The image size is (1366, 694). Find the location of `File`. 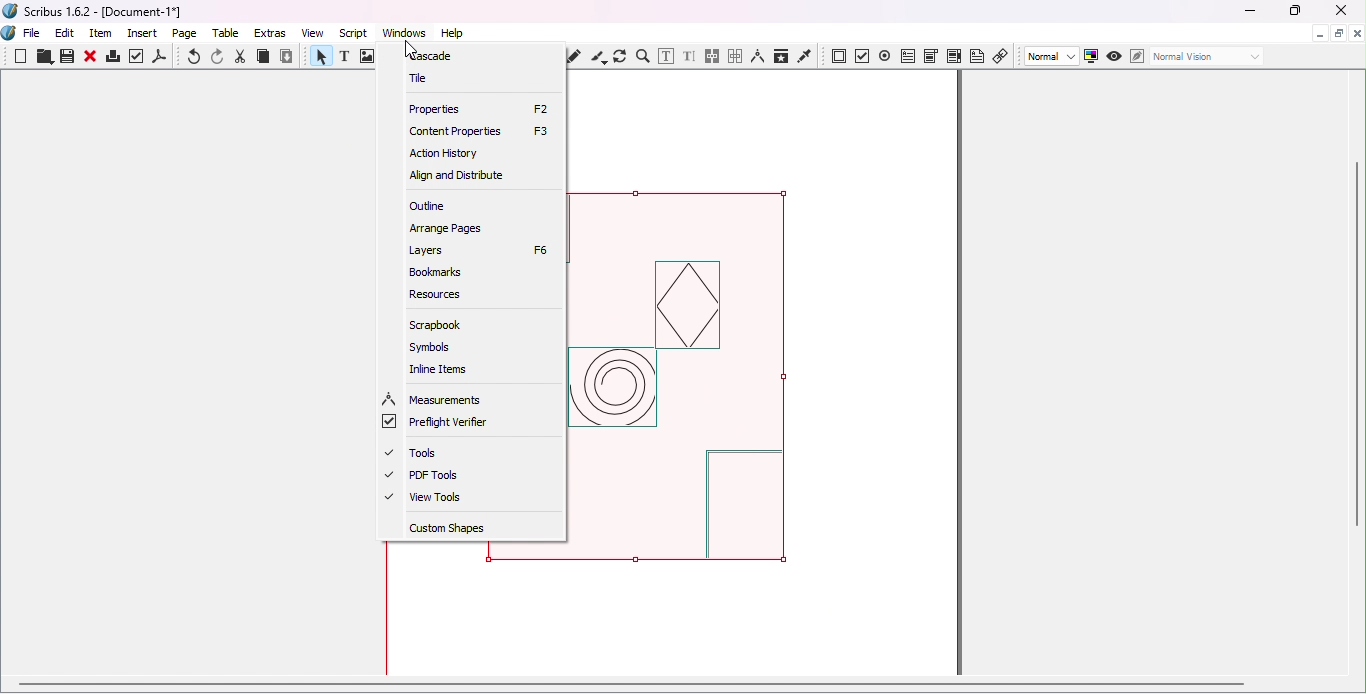

File is located at coordinates (32, 34).